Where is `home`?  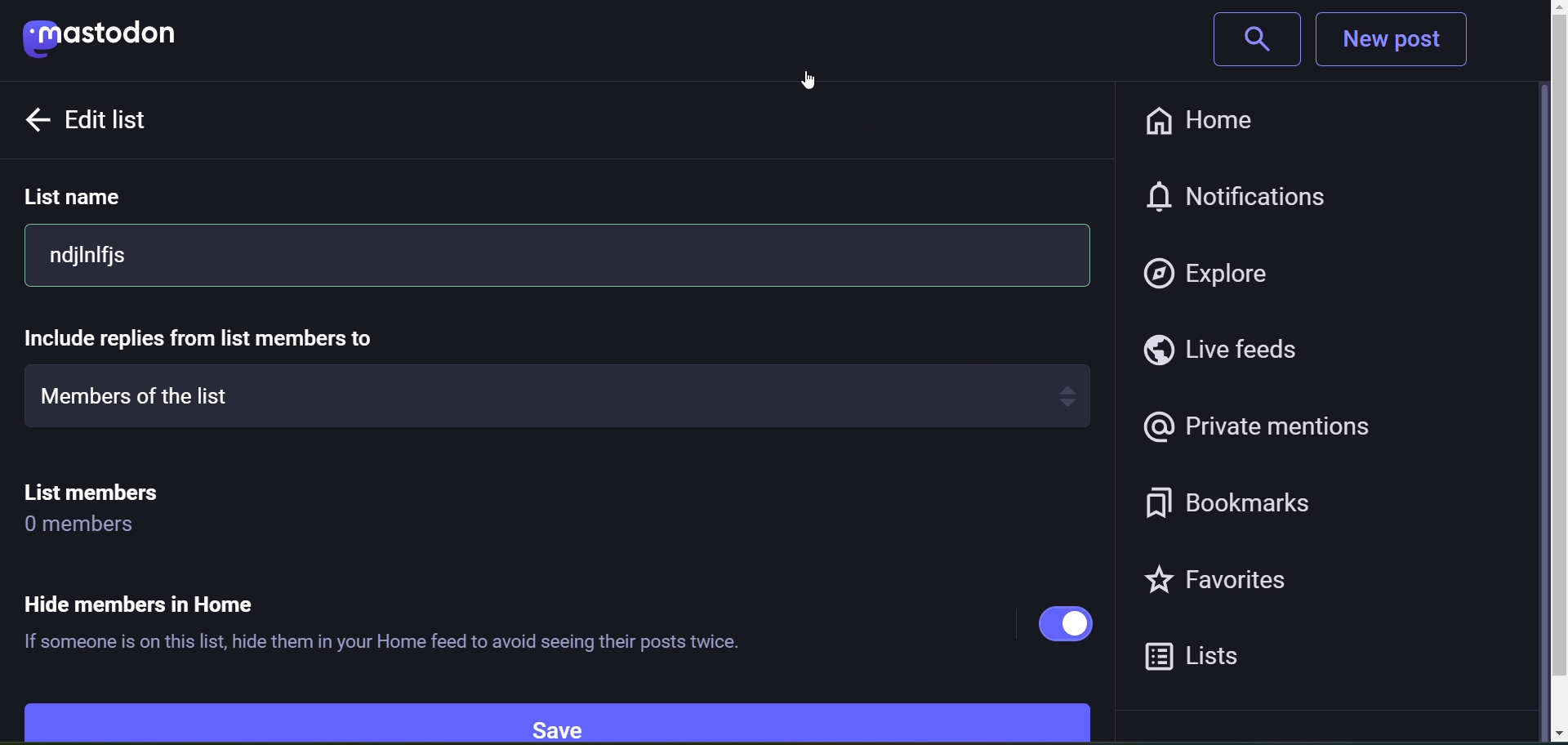 home is located at coordinates (1196, 118).